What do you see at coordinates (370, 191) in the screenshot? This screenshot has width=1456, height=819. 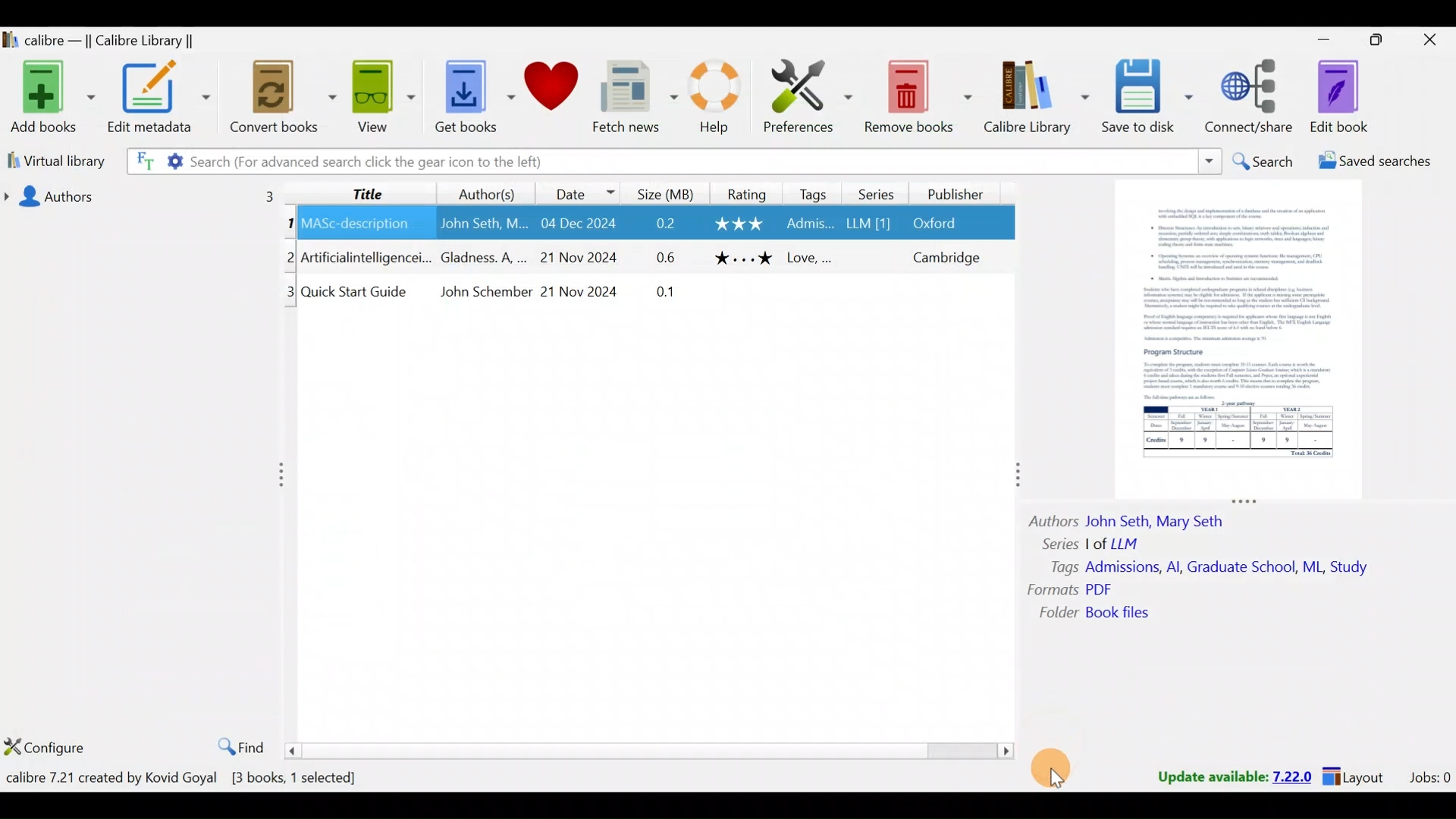 I see `Title` at bounding box center [370, 191].